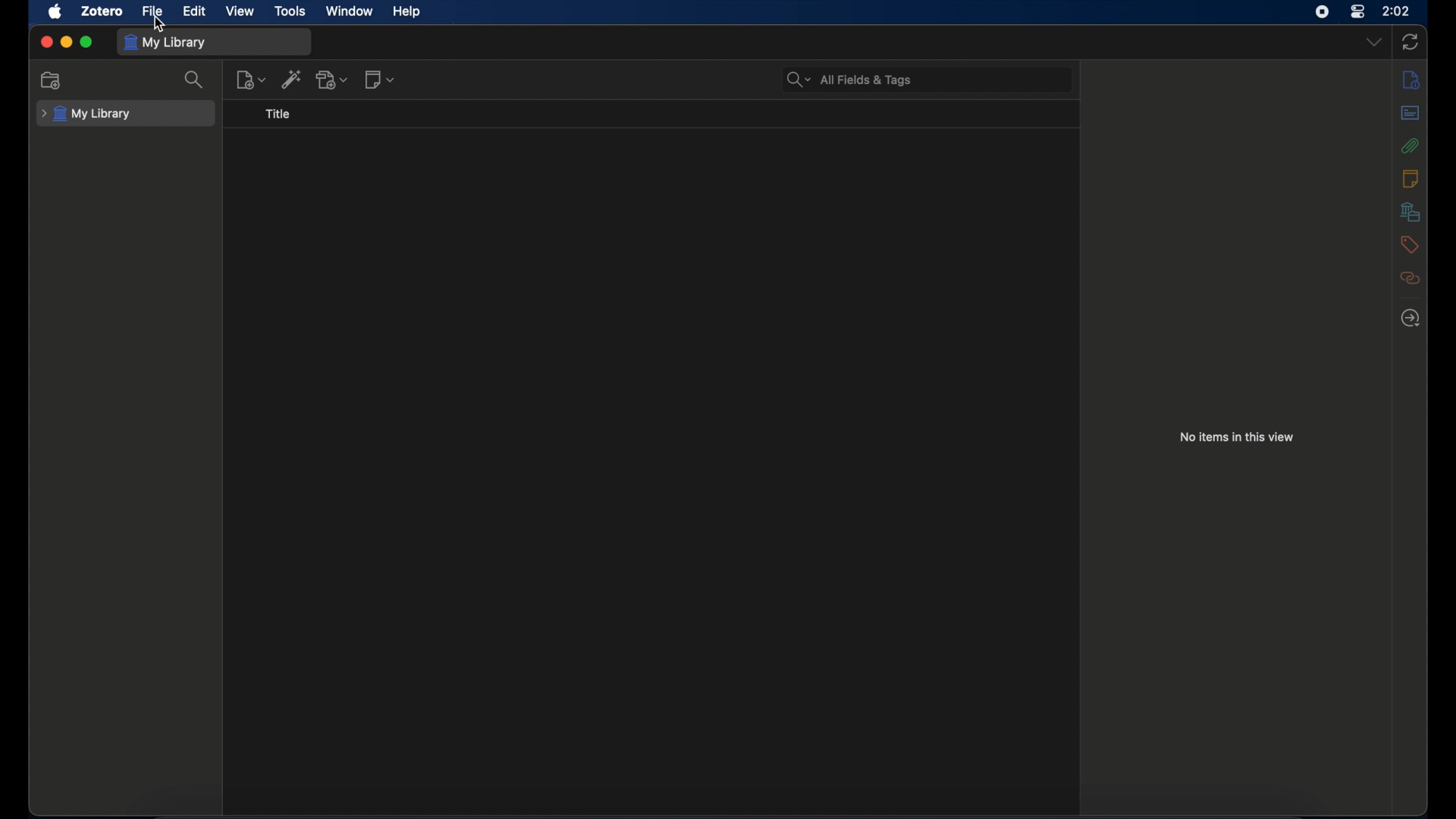 This screenshot has height=819, width=1456. What do you see at coordinates (350, 11) in the screenshot?
I see `window` at bounding box center [350, 11].